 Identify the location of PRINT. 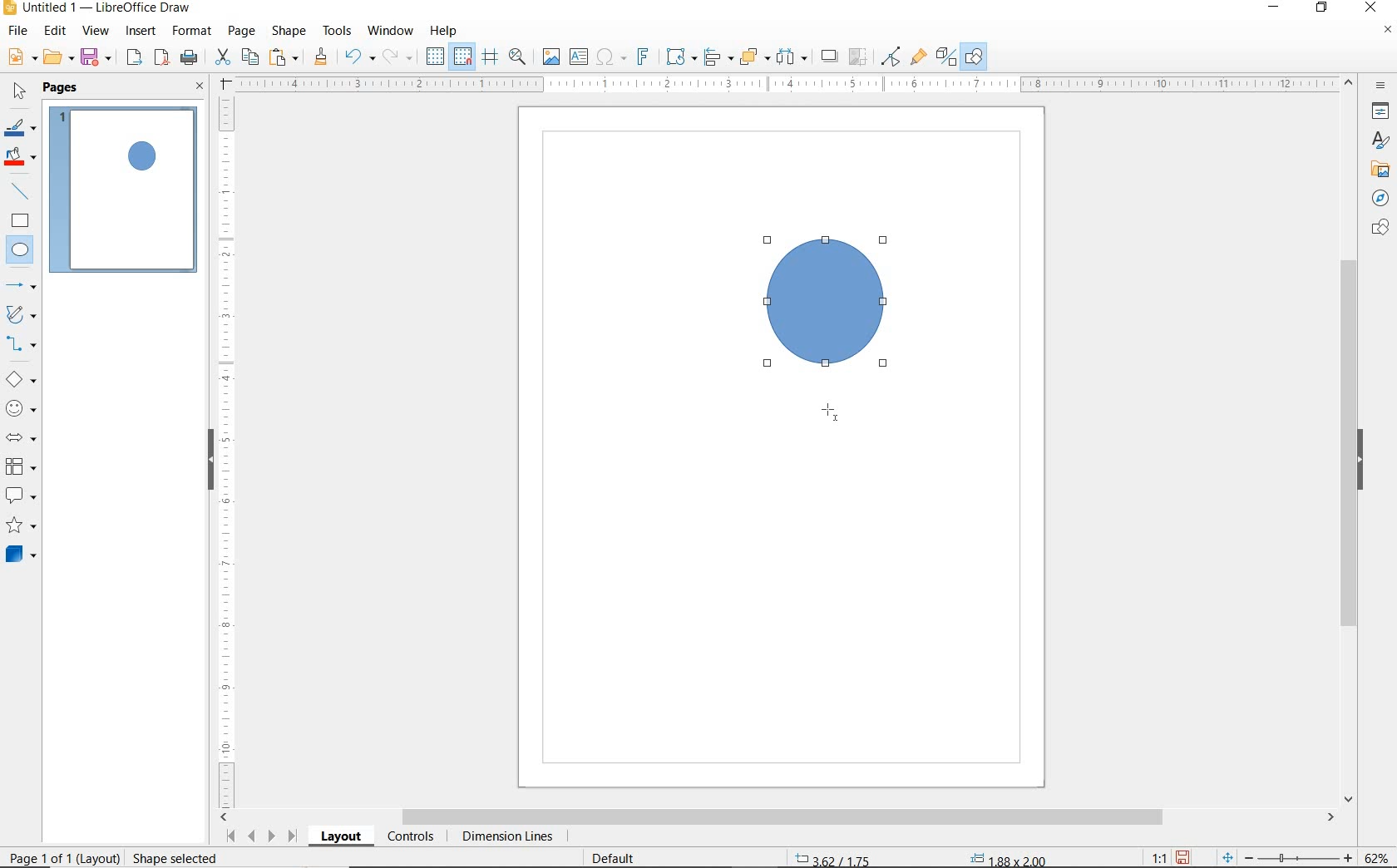
(190, 57).